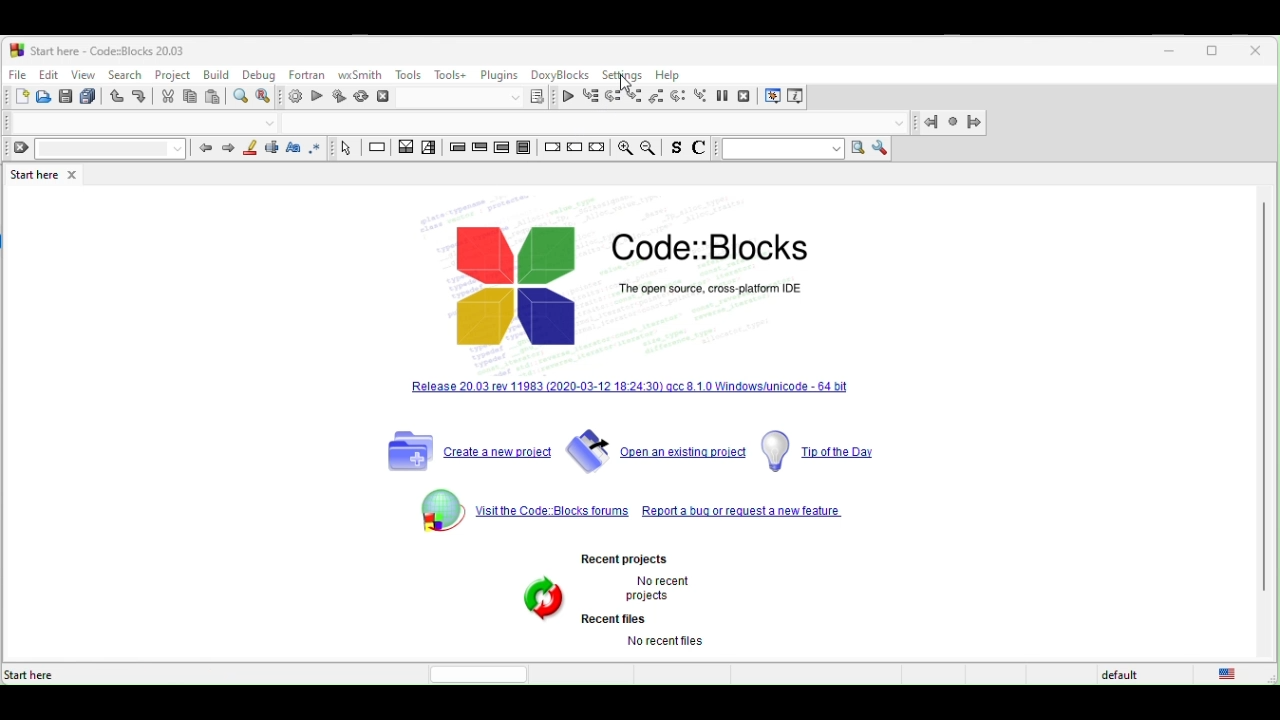 This screenshot has width=1280, height=720. What do you see at coordinates (243, 97) in the screenshot?
I see `find ` at bounding box center [243, 97].